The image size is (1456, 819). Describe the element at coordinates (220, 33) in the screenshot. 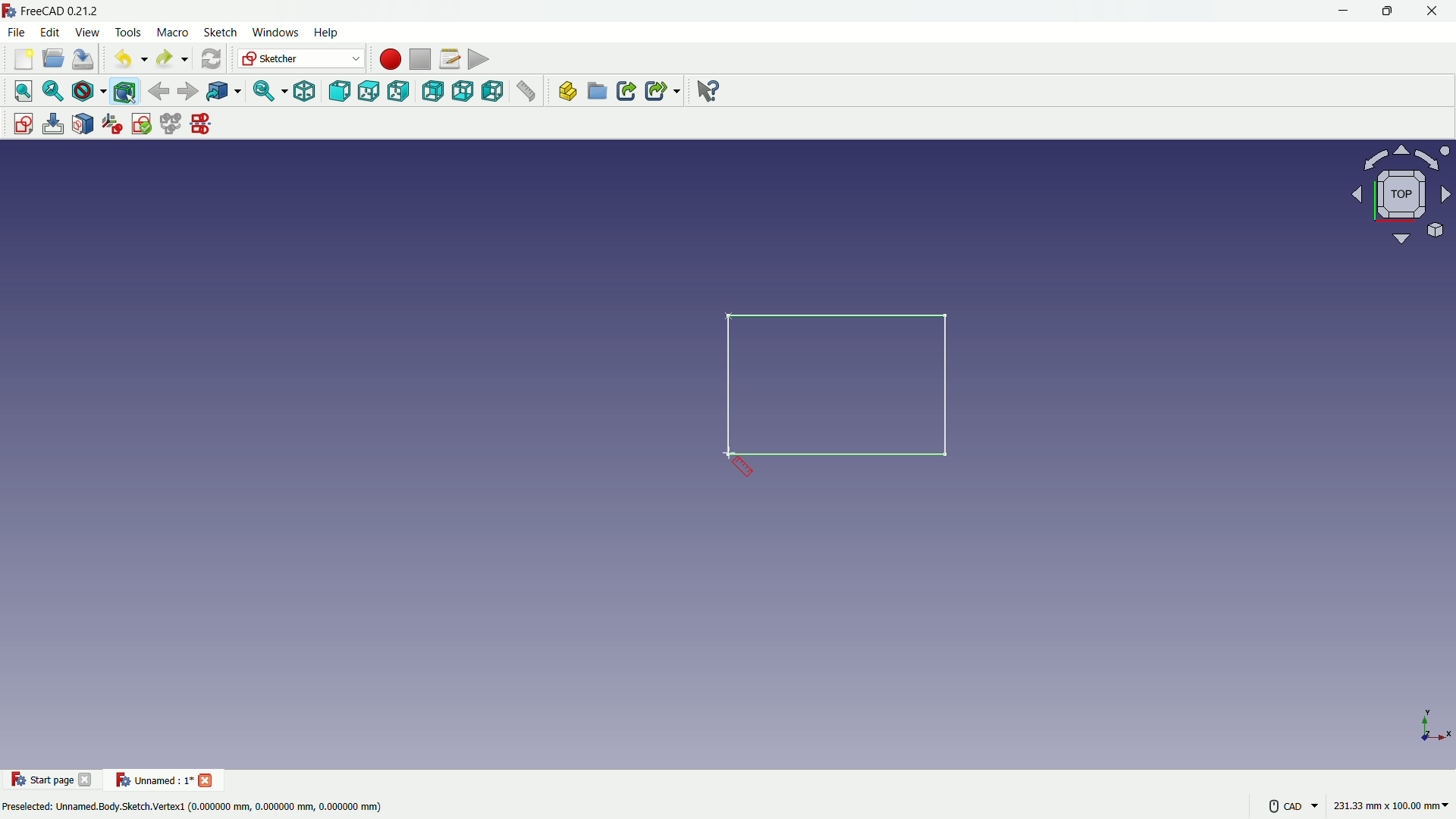

I see `sketch menu` at that location.